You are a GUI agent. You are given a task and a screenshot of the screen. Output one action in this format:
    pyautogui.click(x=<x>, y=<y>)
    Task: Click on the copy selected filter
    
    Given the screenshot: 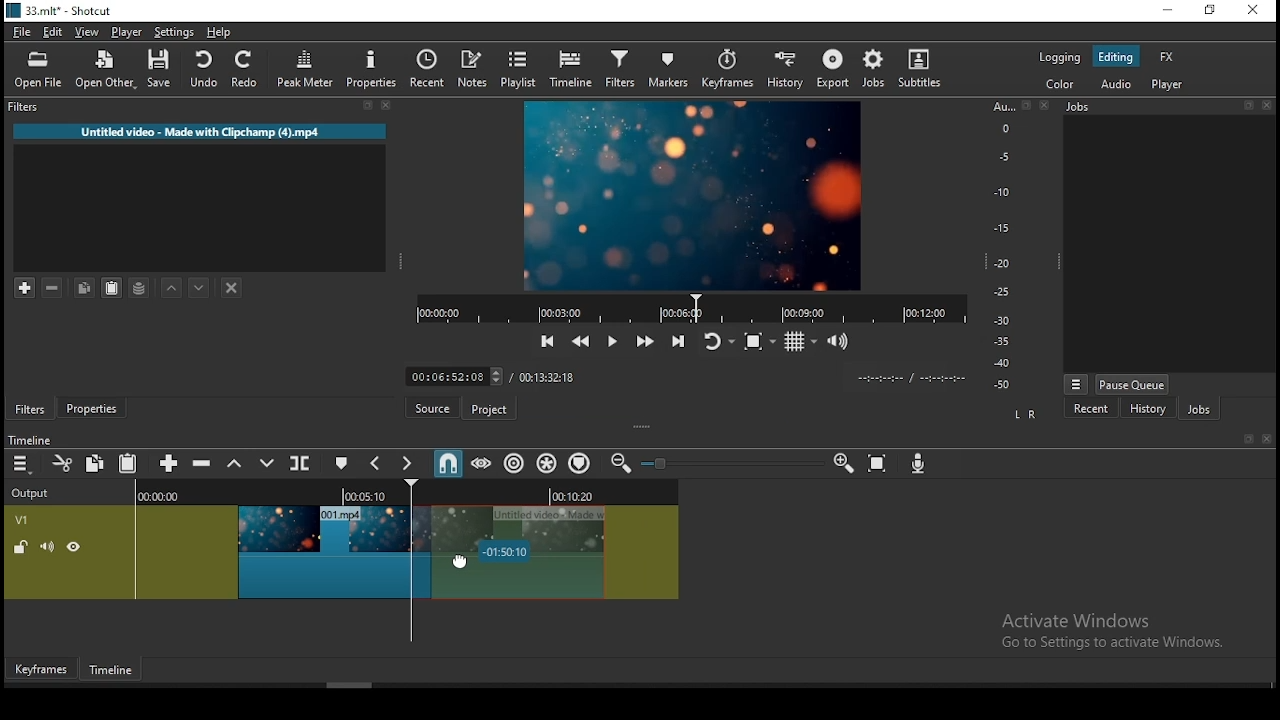 What is the action you would take?
    pyautogui.click(x=85, y=288)
    